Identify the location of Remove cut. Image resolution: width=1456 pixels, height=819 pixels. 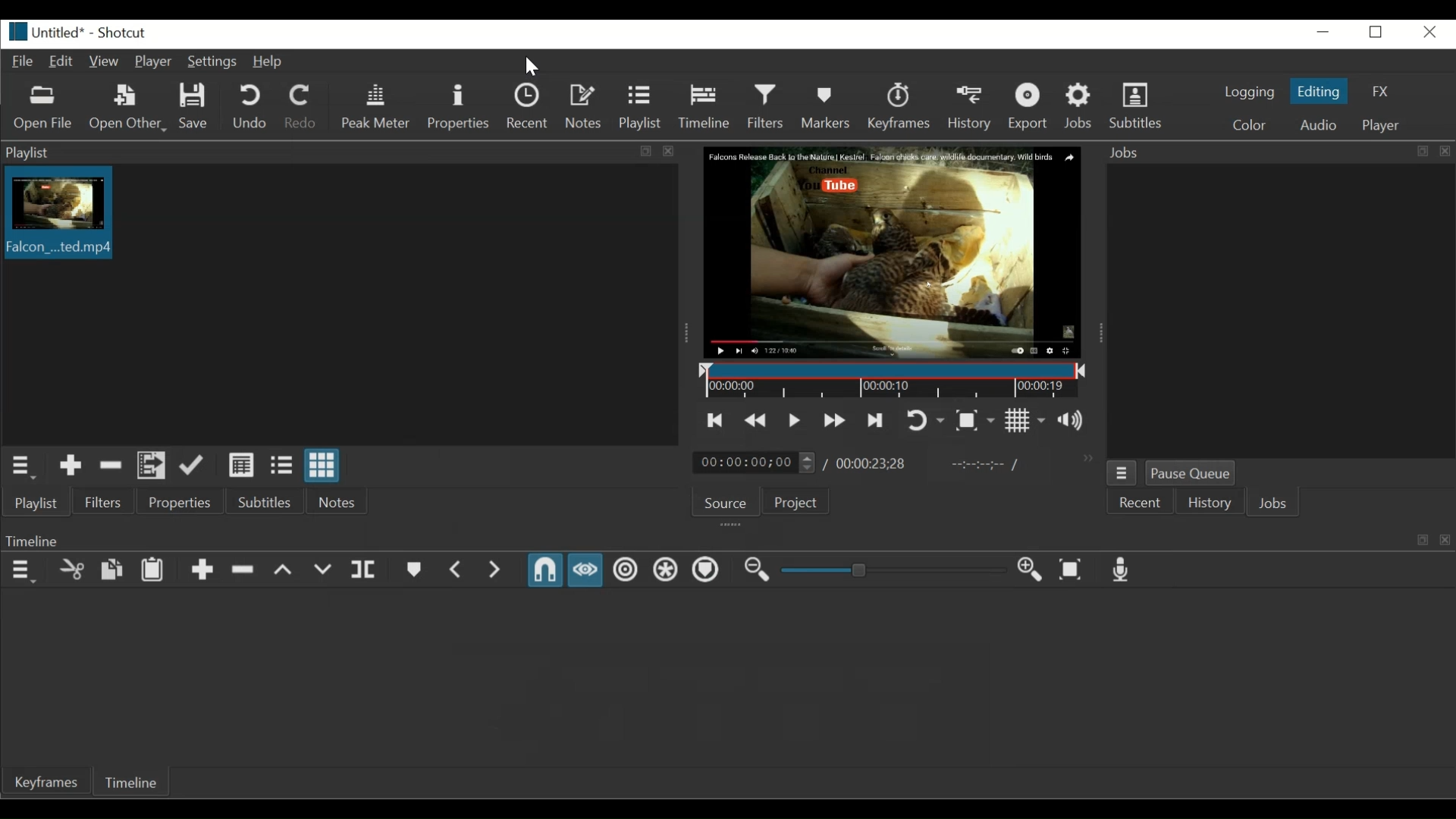
(111, 466).